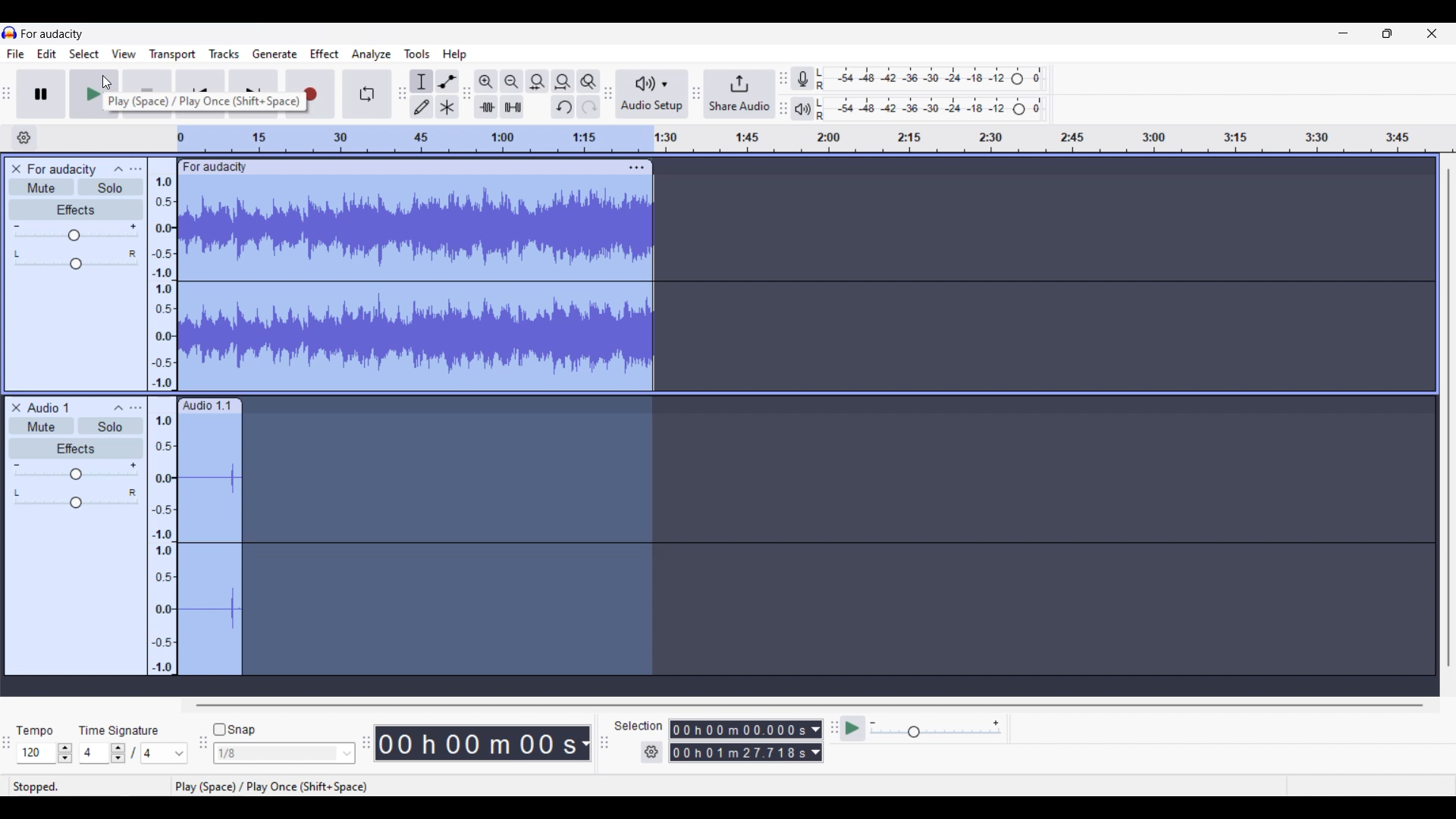 The width and height of the screenshot is (1456, 819). Describe the element at coordinates (24, 138) in the screenshot. I see `Timeline settings` at that location.